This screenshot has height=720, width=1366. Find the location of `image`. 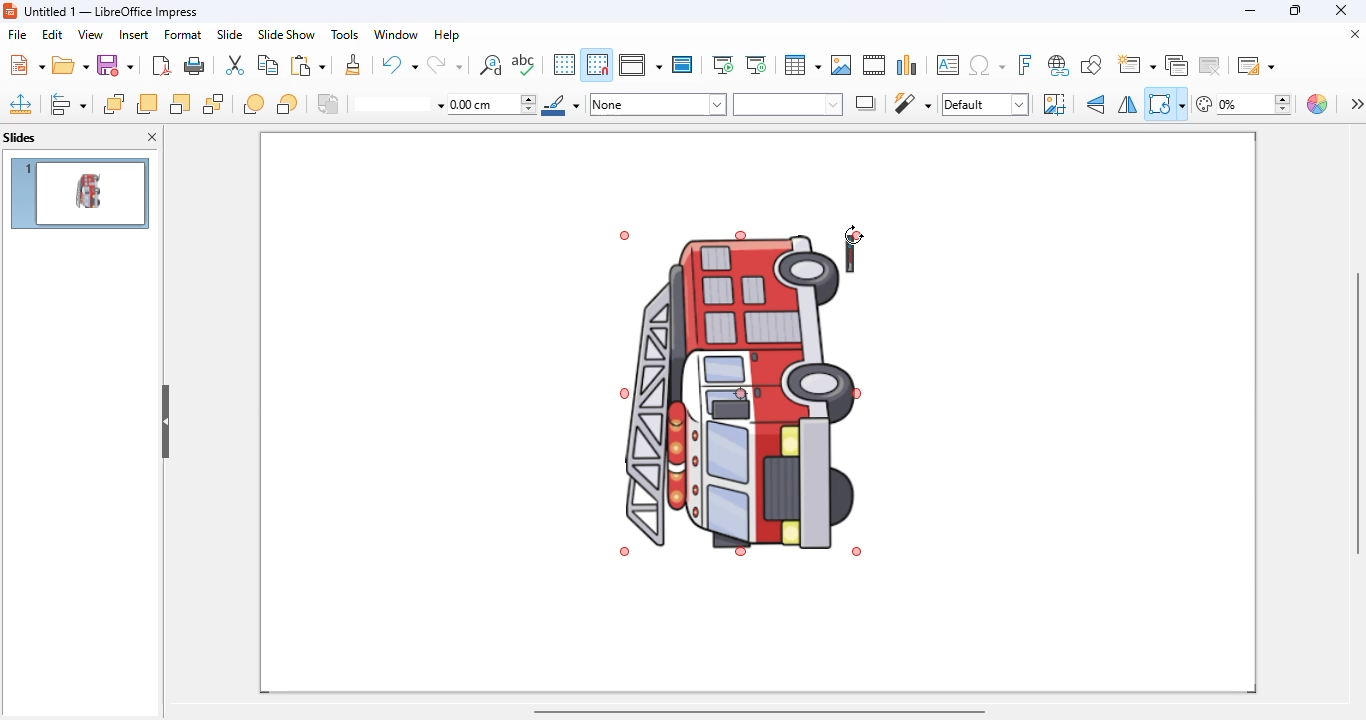

image is located at coordinates (743, 393).